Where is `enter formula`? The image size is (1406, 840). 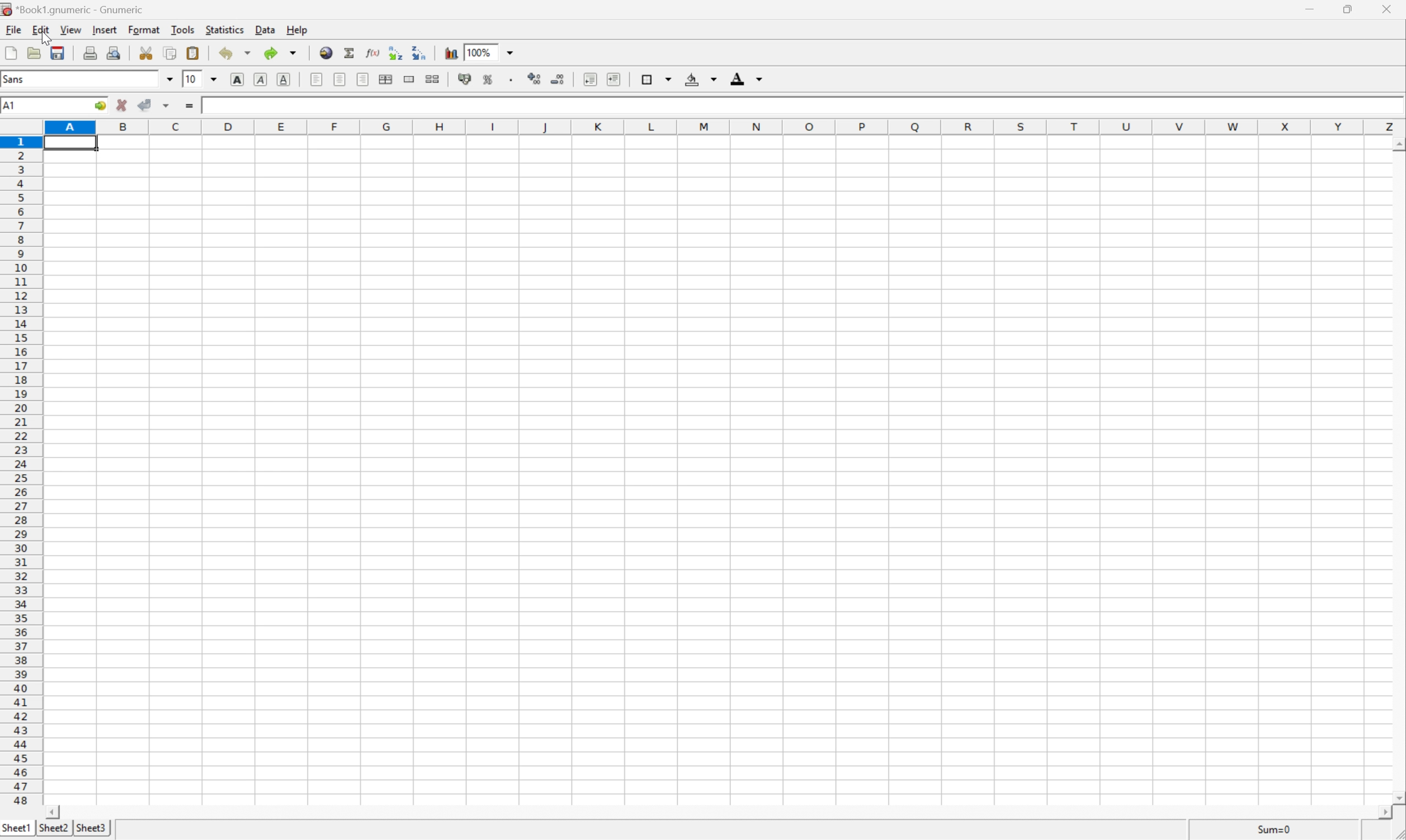
enter formula is located at coordinates (194, 104).